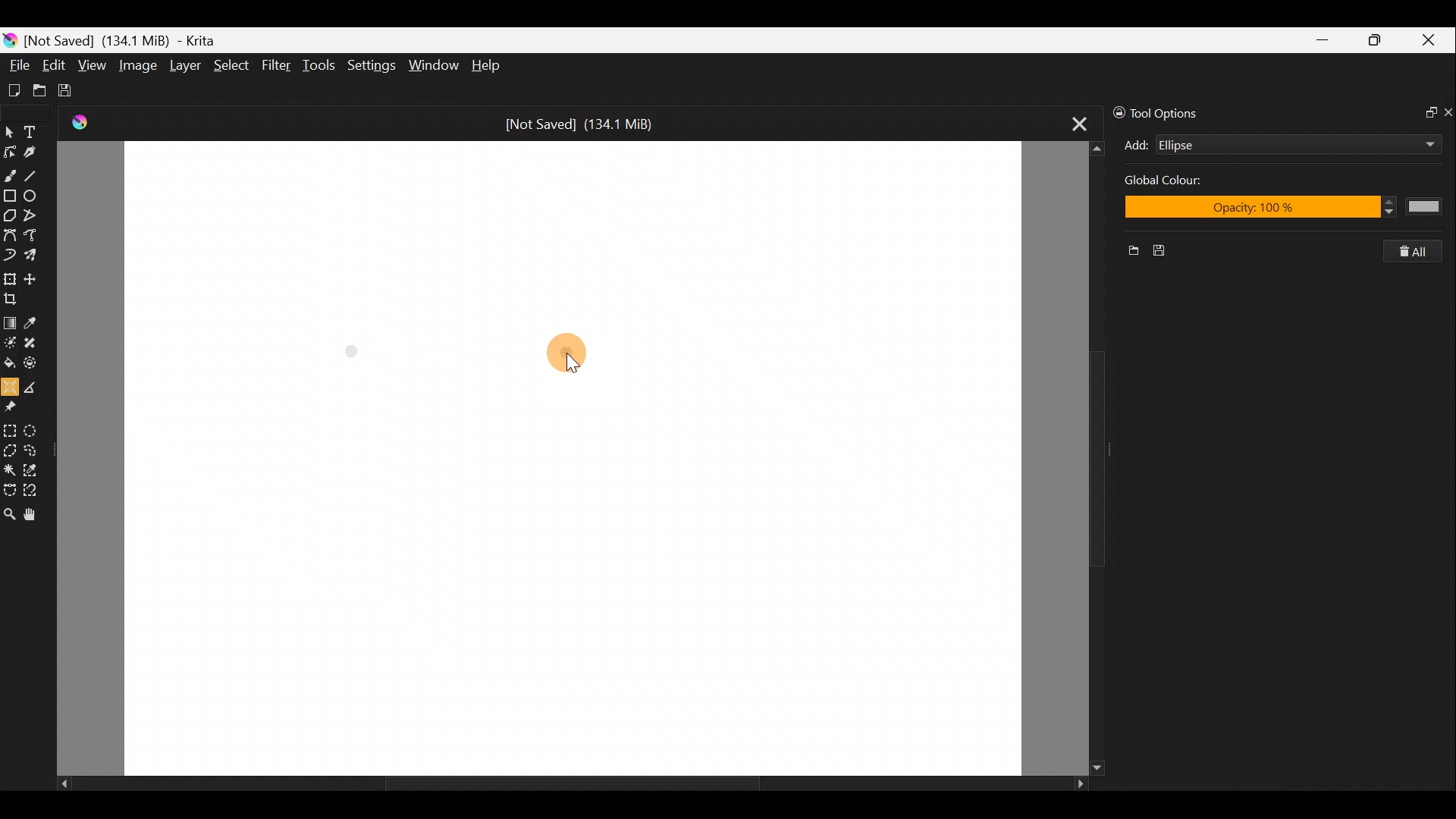 The image size is (1456, 819). I want to click on Calligraphy, so click(36, 149).